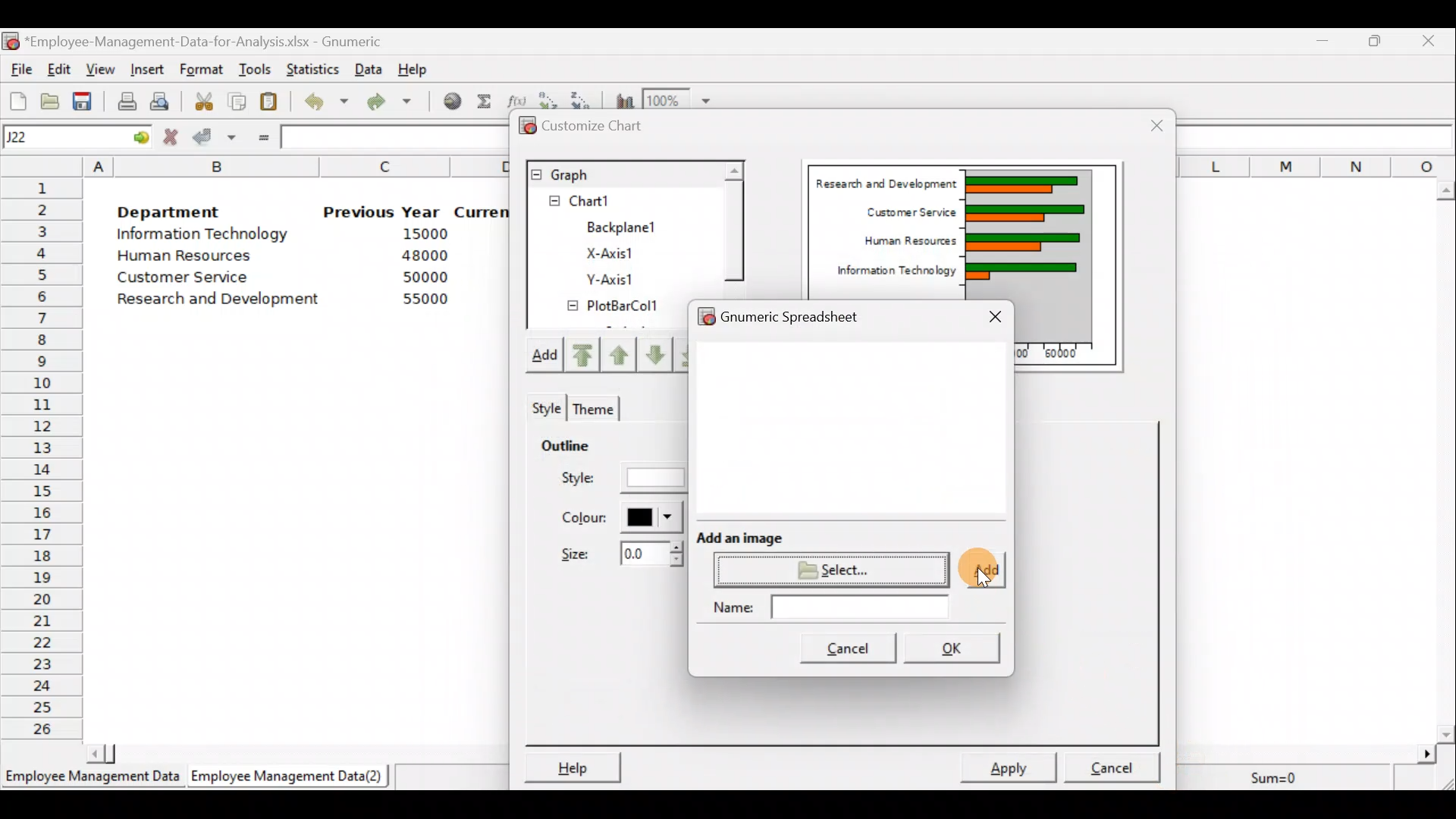 The image size is (1456, 819). Describe the element at coordinates (1378, 41) in the screenshot. I see `Maximize` at that location.